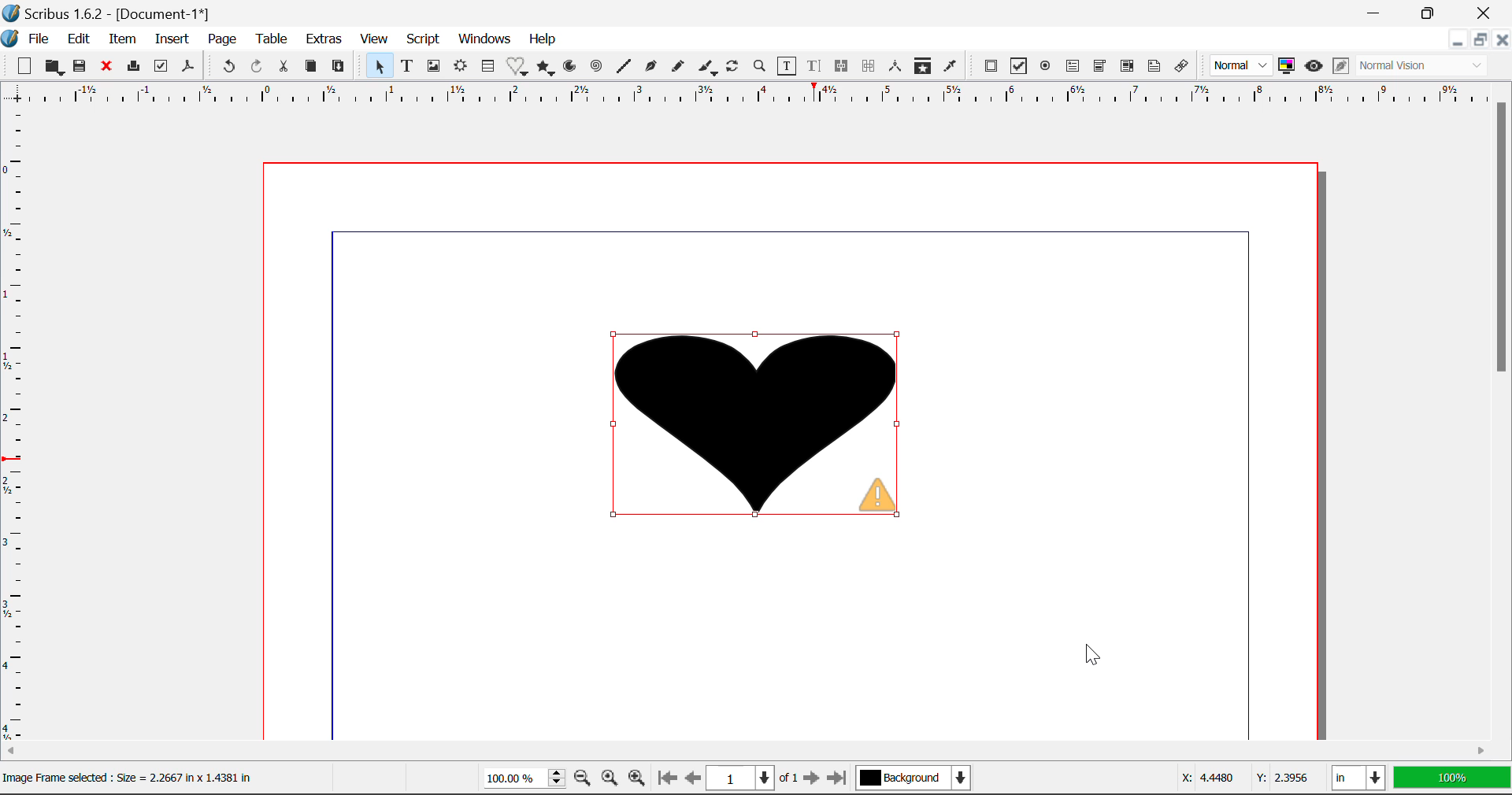 This screenshot has height=795, width=1512. What do you see at coordinates (518, 68) in the screenshot?
I see `Insert Special Shapes` at bounding box center [518, 68].